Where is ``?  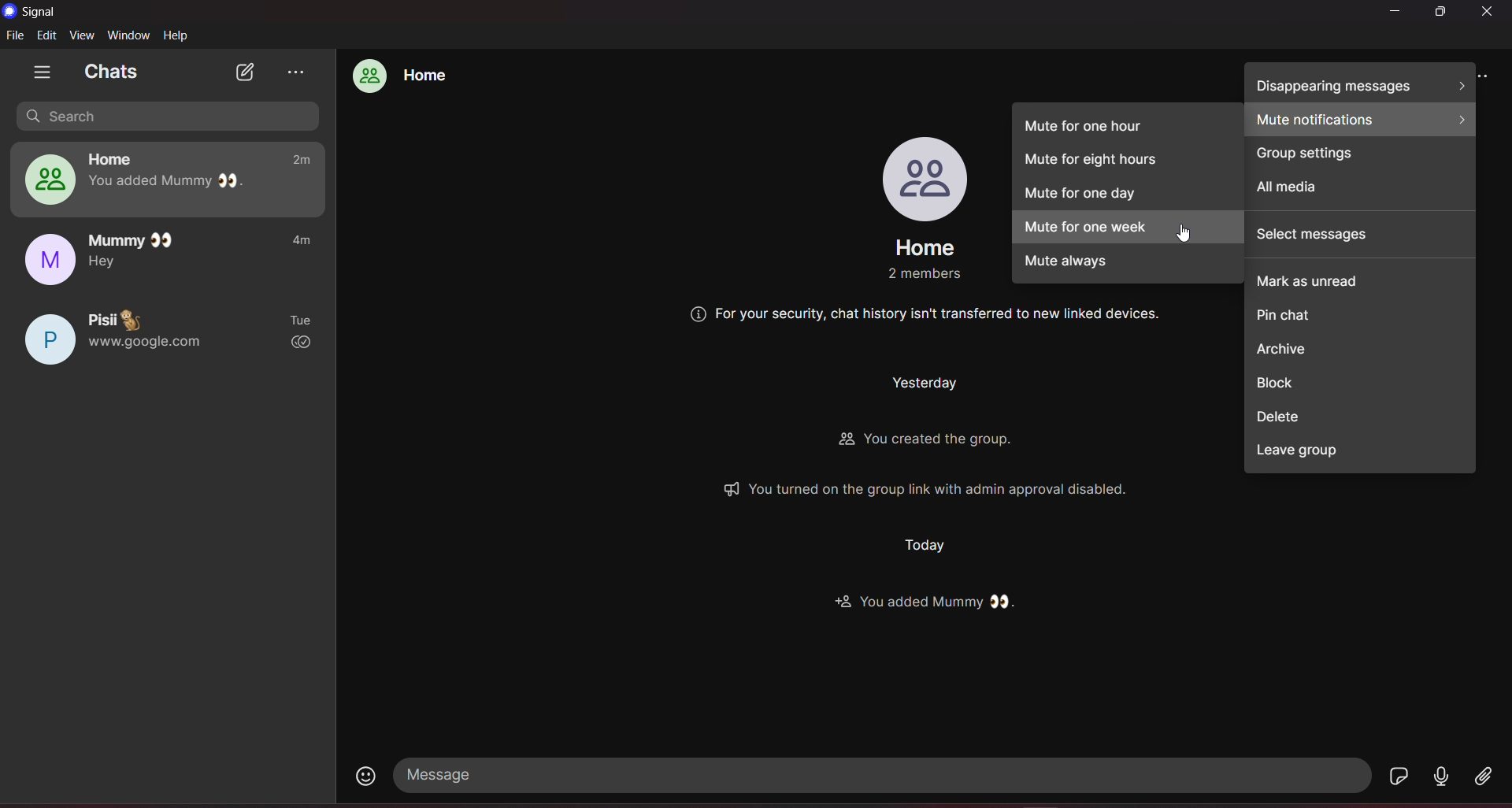  is located at coordinates (951, 317).